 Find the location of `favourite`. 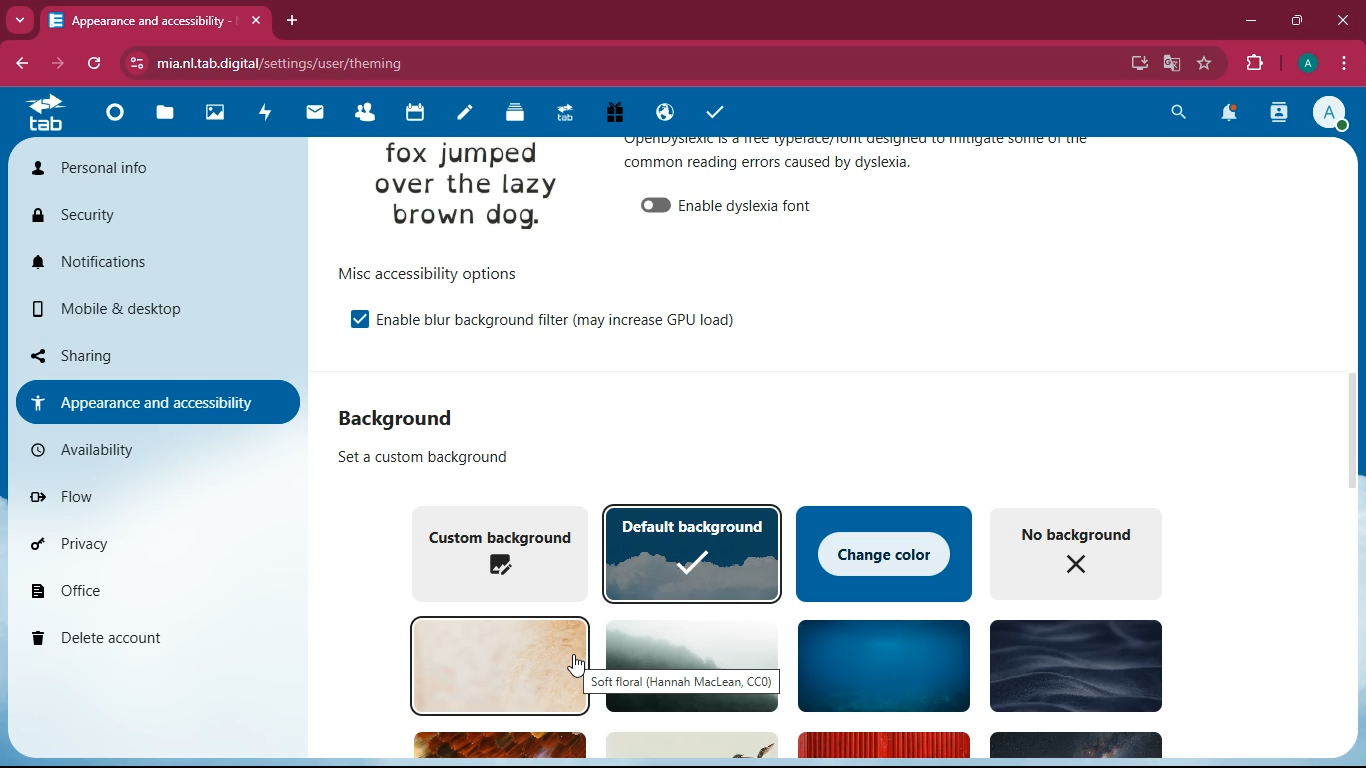

favourite is located at coordinates (1202, 64).